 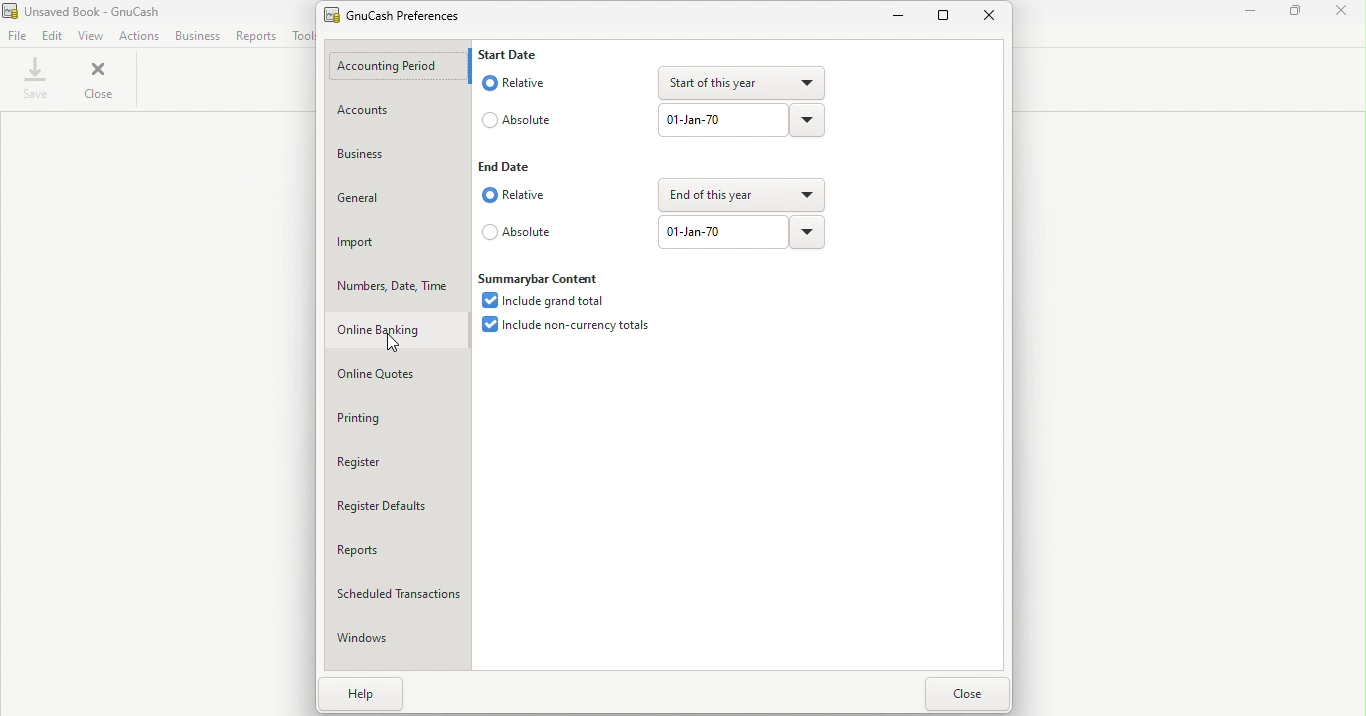 I want to click on Type, so click(x=724, y=118).